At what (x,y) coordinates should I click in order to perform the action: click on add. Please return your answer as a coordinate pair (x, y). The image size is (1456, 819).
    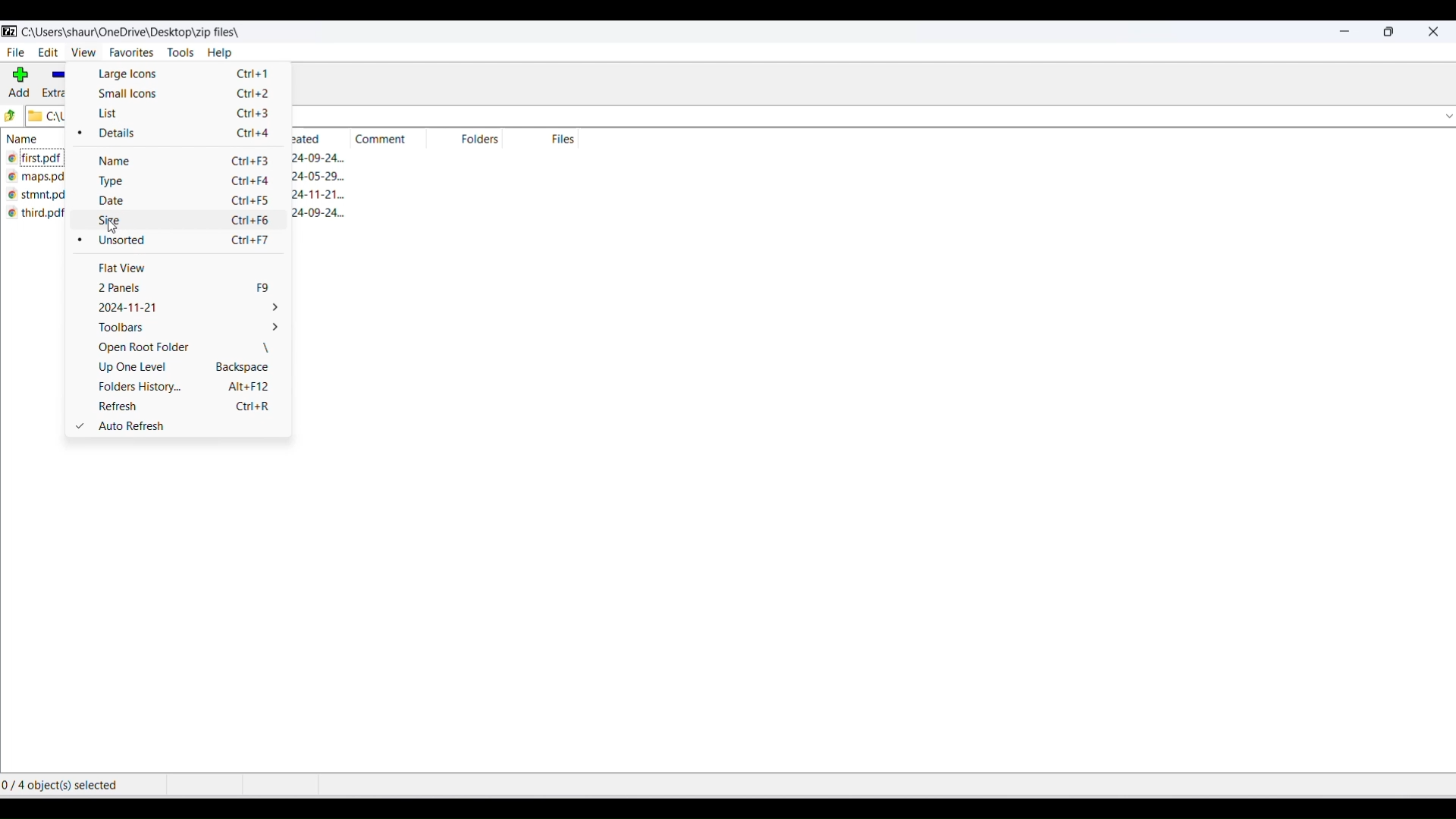
    Looking at the image, I should click on (20, 83).